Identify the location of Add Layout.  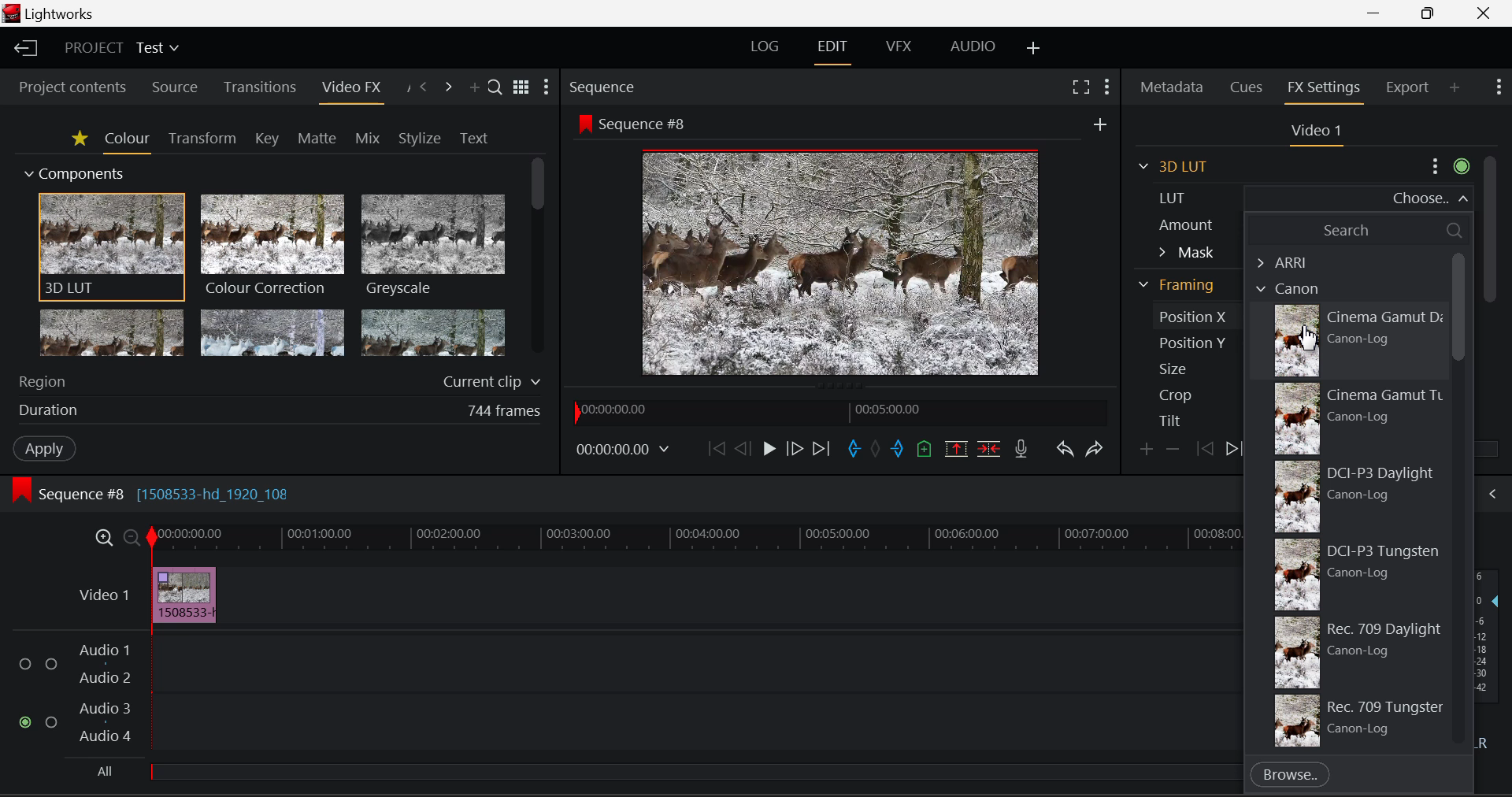
(1032, 48).